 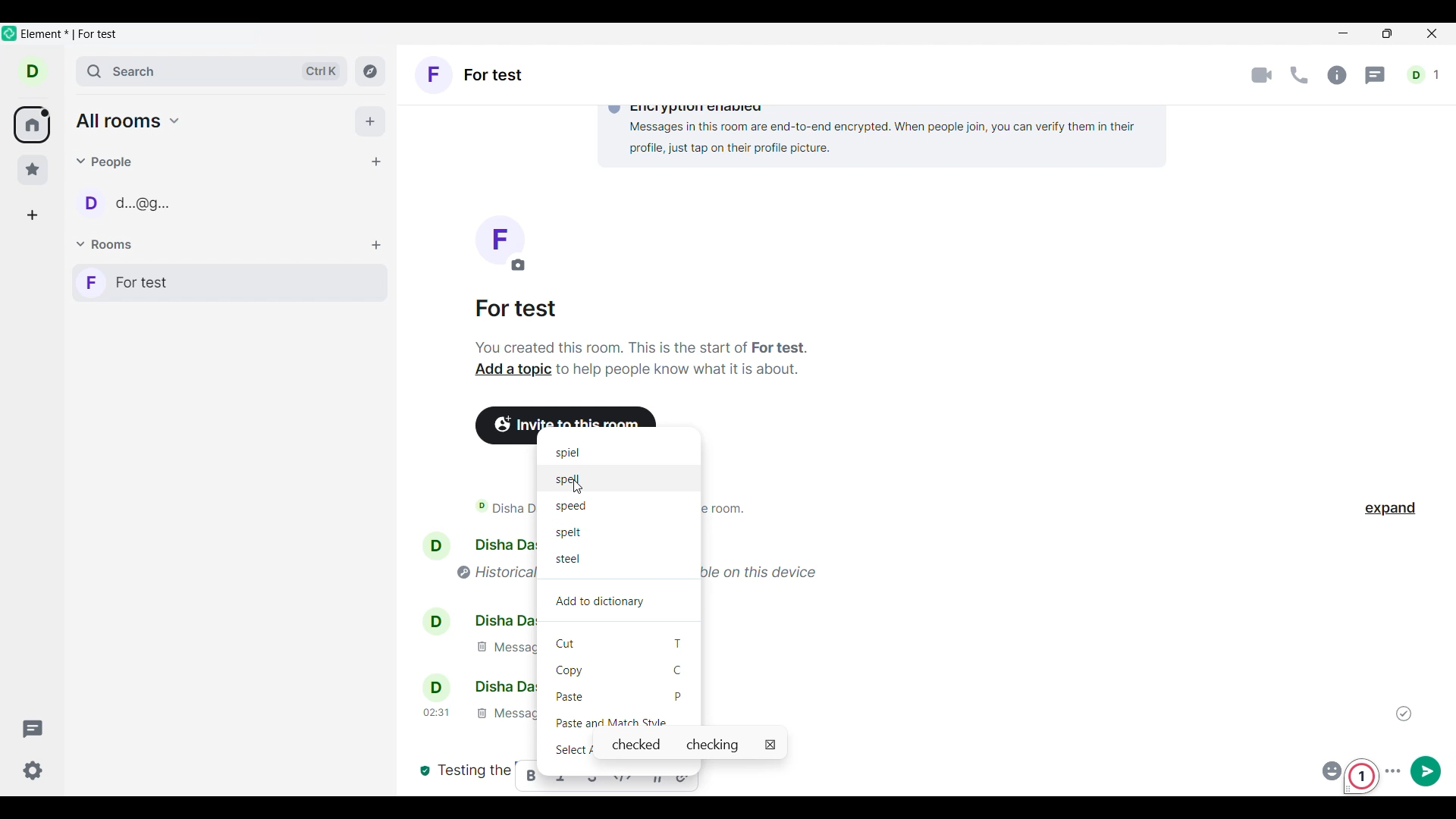 What do you see at coordinates (770, 745) in the screenshot?
I see `close` at bounding box center [770, 745].